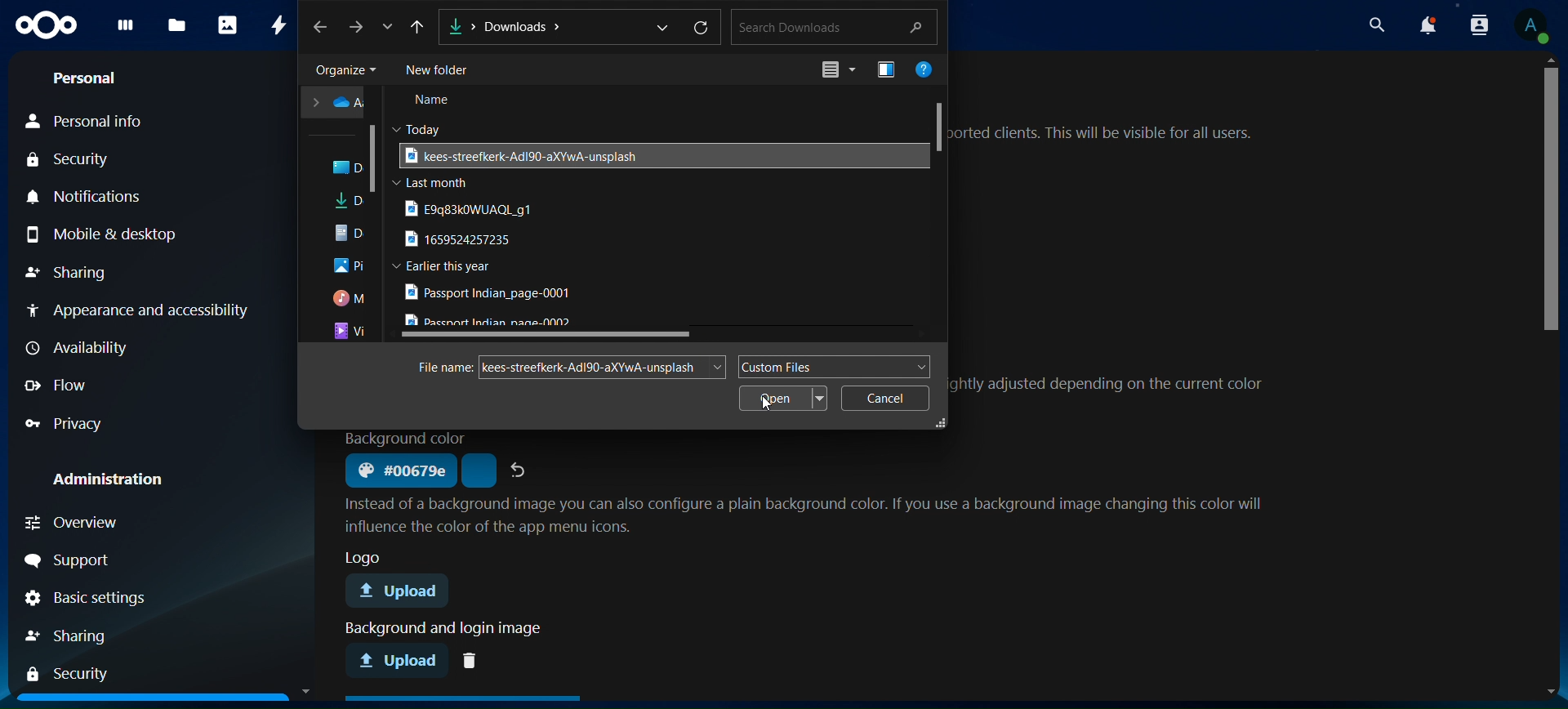 The width and height of the screenshot is (1568, 709). I want to click on background and login image upload, so click(399, 659).